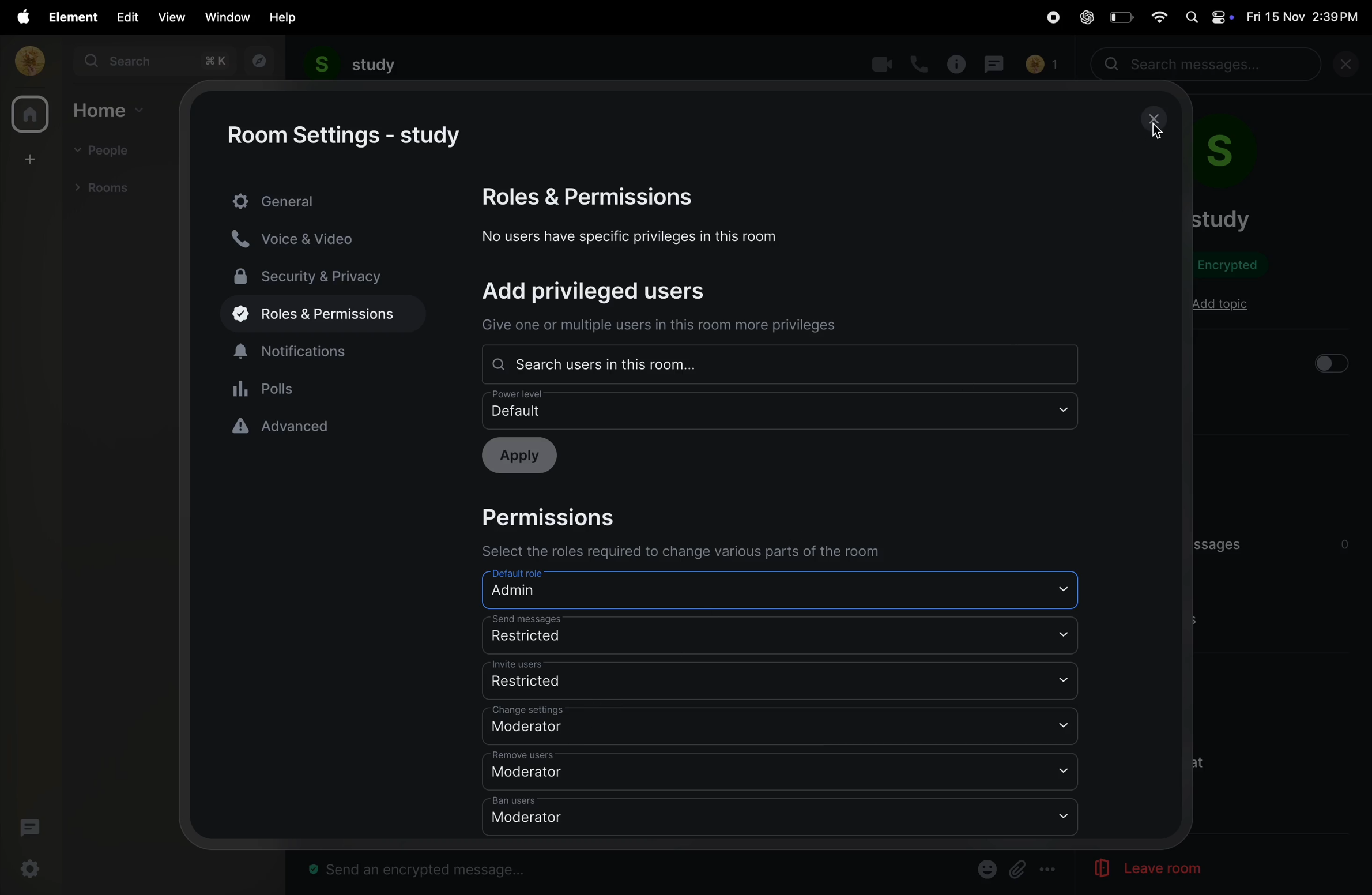 The width and height of the screenshot is (1372, 895). Describe the element at coordinates (779, 364) in the screenshot. I see `Search users in one room` at that location.